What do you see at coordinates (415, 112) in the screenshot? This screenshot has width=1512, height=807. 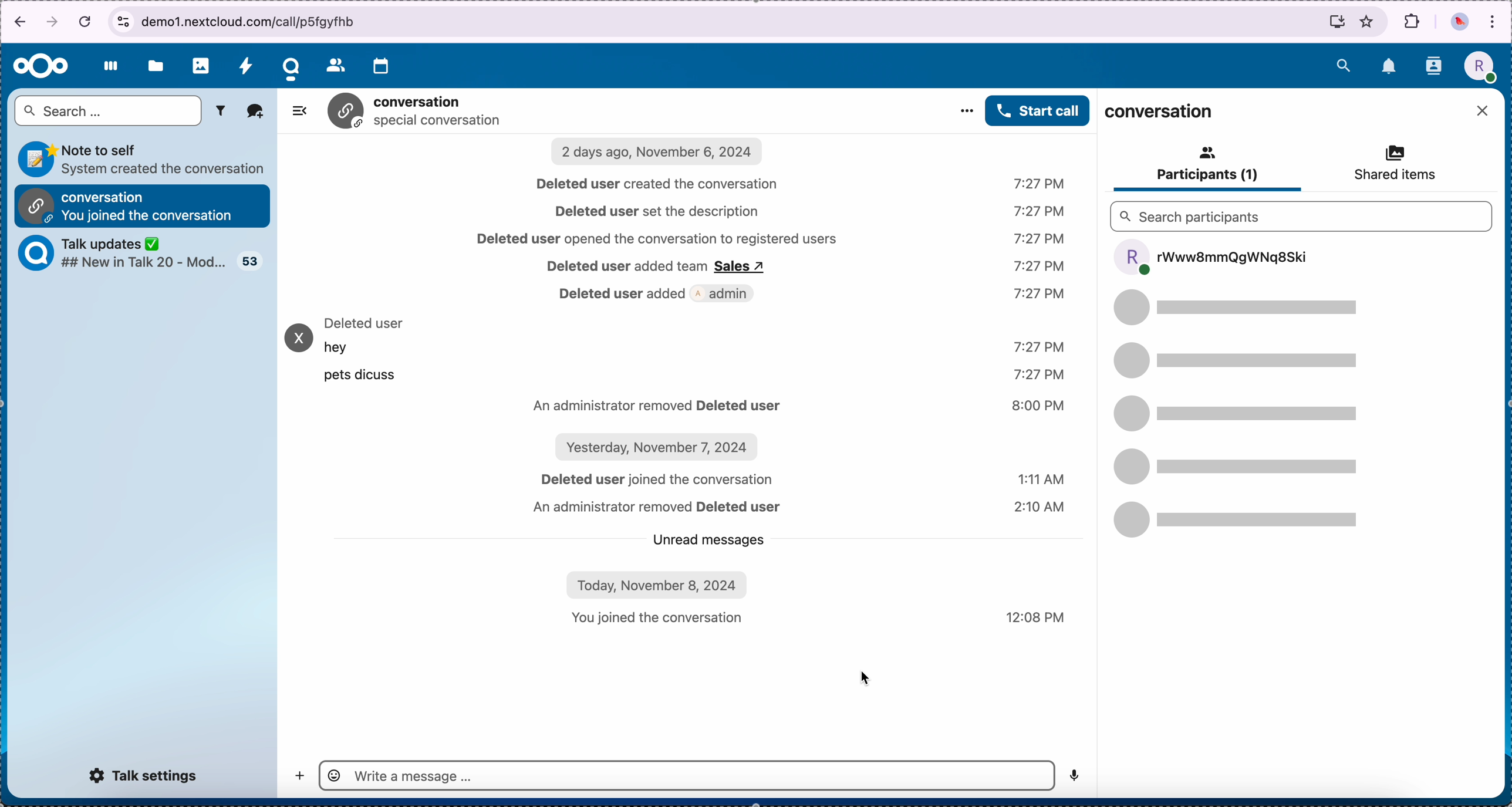 I see `conversation` at bounding box center [415, 112].